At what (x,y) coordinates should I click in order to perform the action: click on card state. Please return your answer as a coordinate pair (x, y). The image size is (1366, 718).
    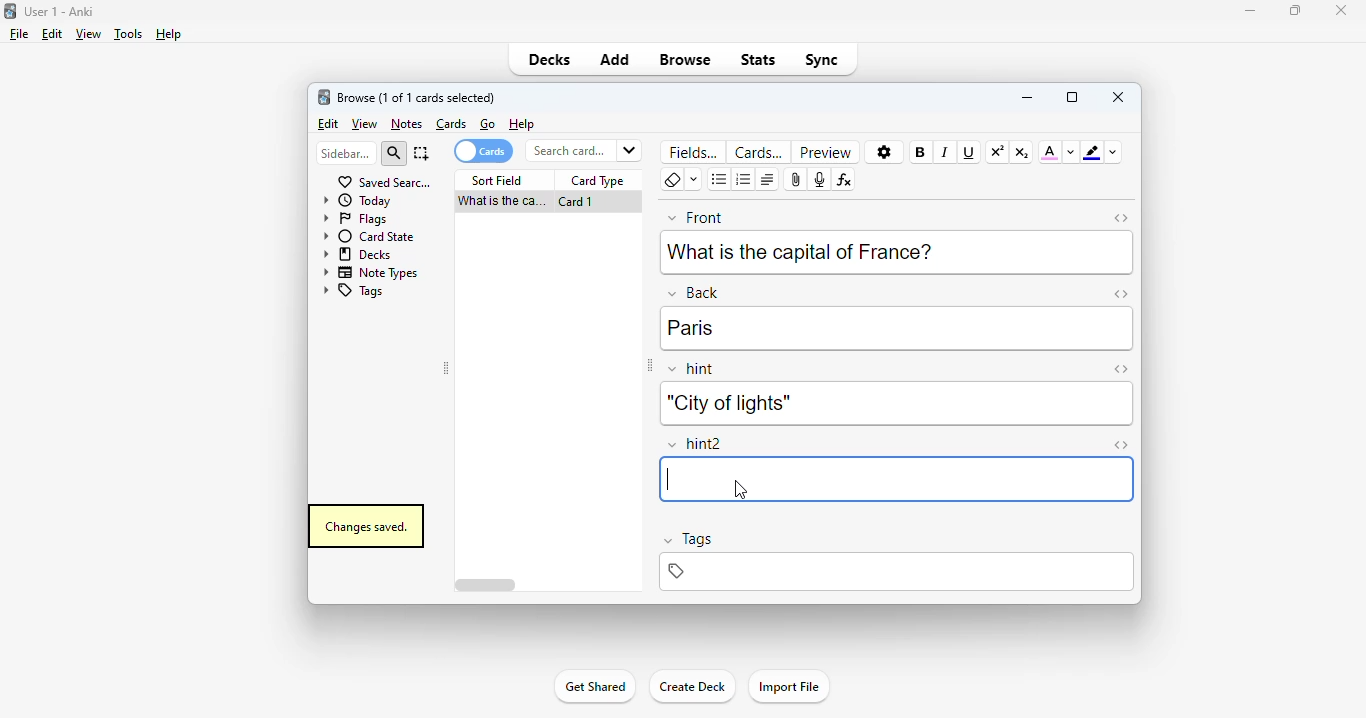
    Looking at the image, I should click on (368, 236).